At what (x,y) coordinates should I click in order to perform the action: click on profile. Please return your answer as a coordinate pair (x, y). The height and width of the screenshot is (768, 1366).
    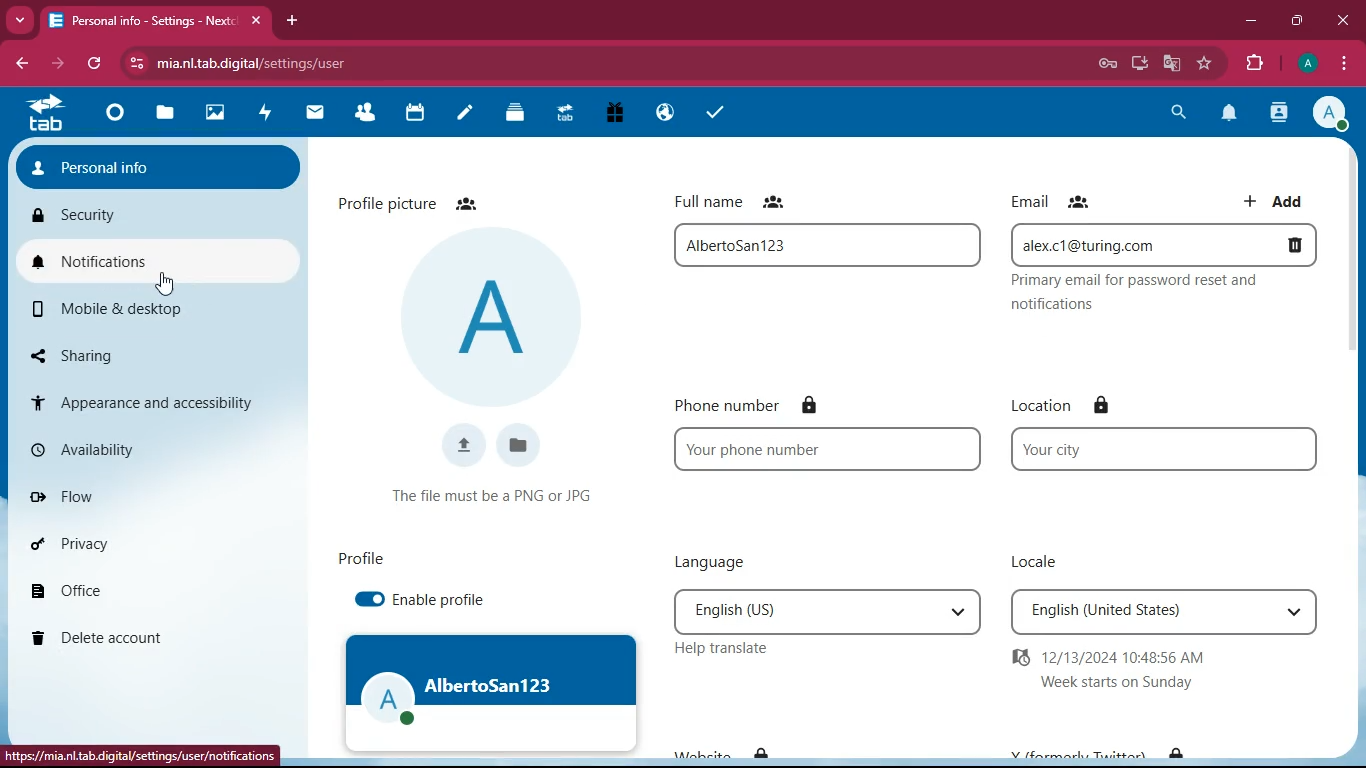
    Looking at the image, I should click on (1330, 114).